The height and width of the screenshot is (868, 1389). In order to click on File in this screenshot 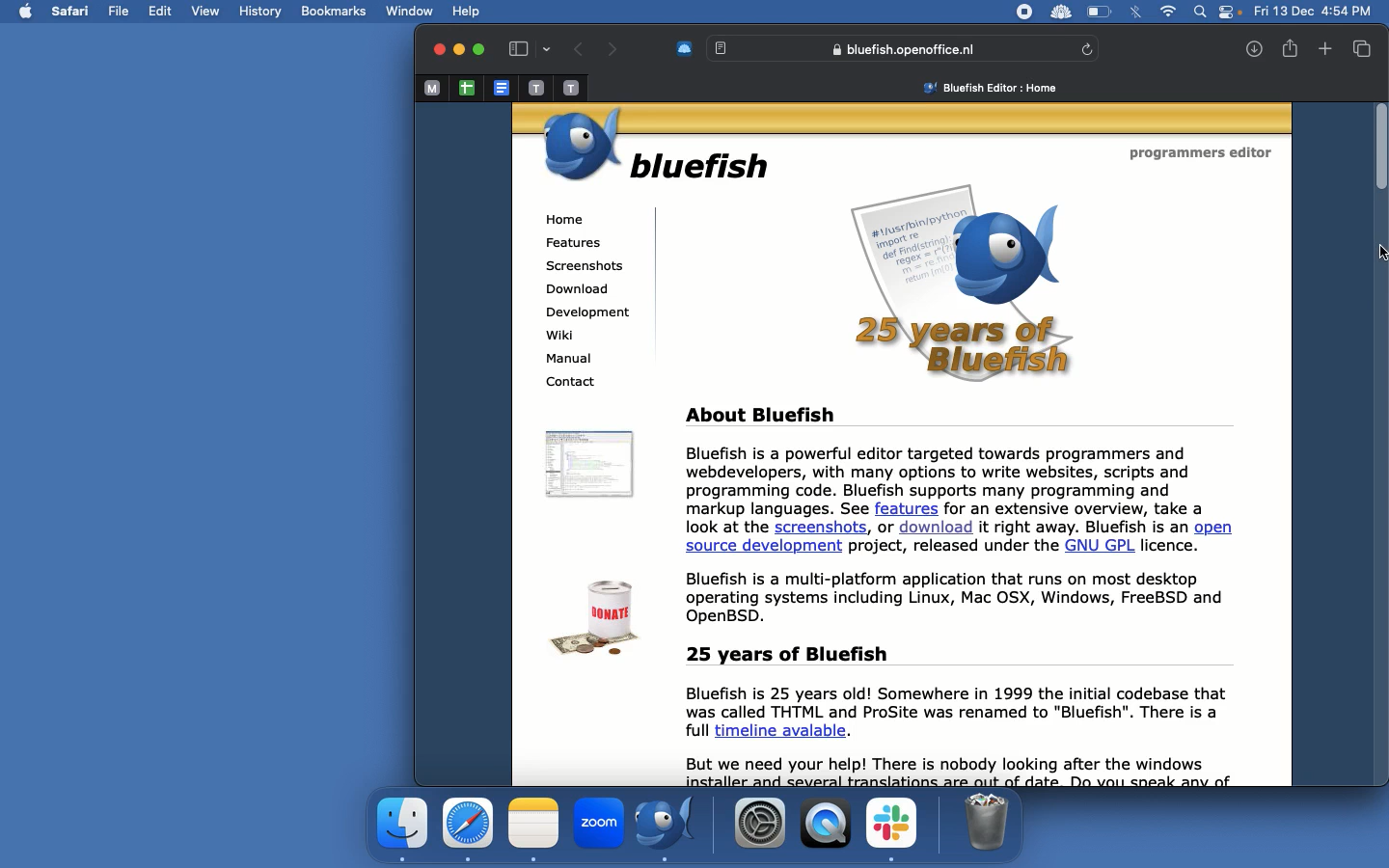, I will do `click(123, 10)`.